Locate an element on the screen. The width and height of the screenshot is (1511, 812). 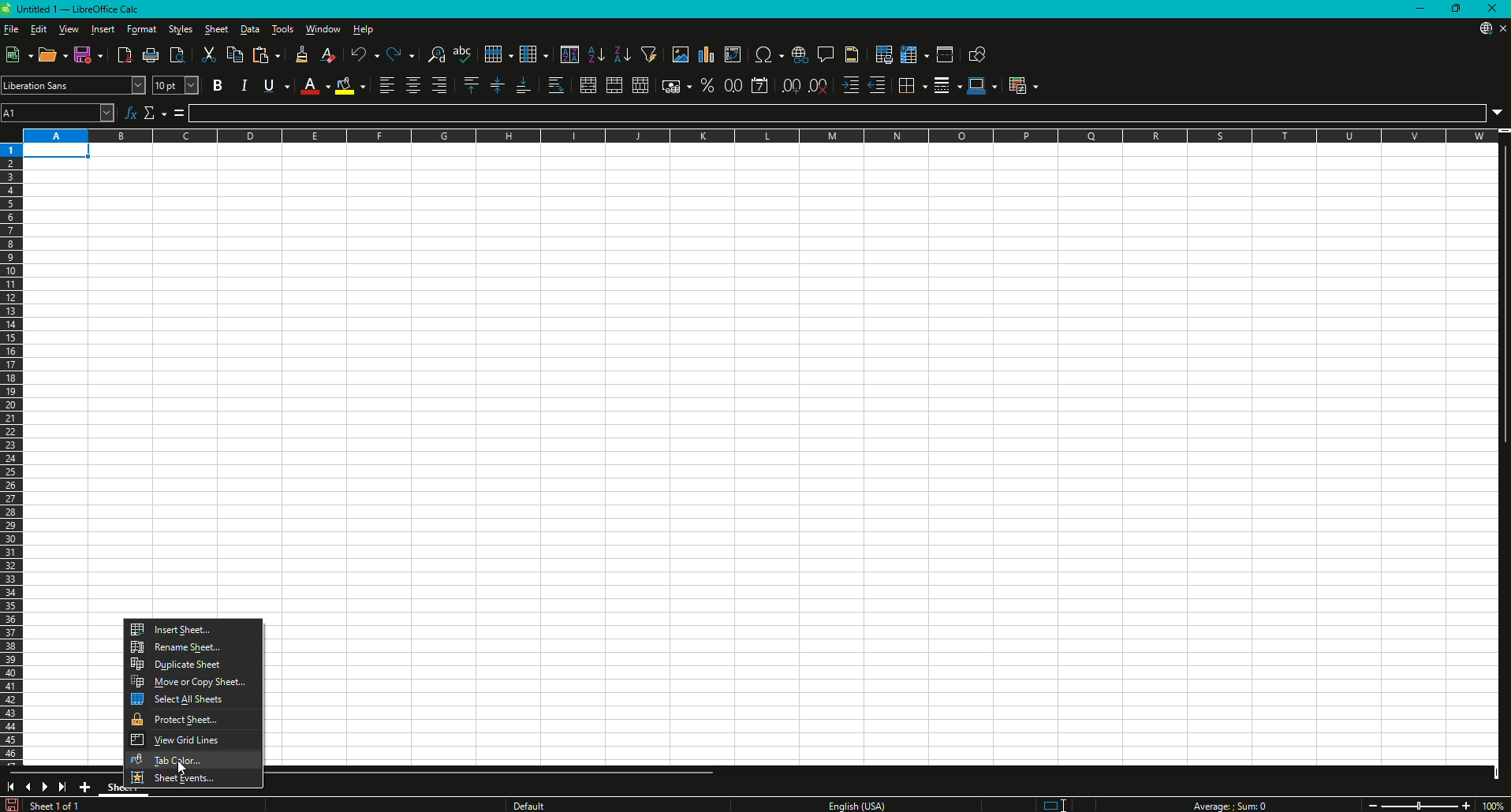
Zoom Factor is located at coordinates (1493, 806).